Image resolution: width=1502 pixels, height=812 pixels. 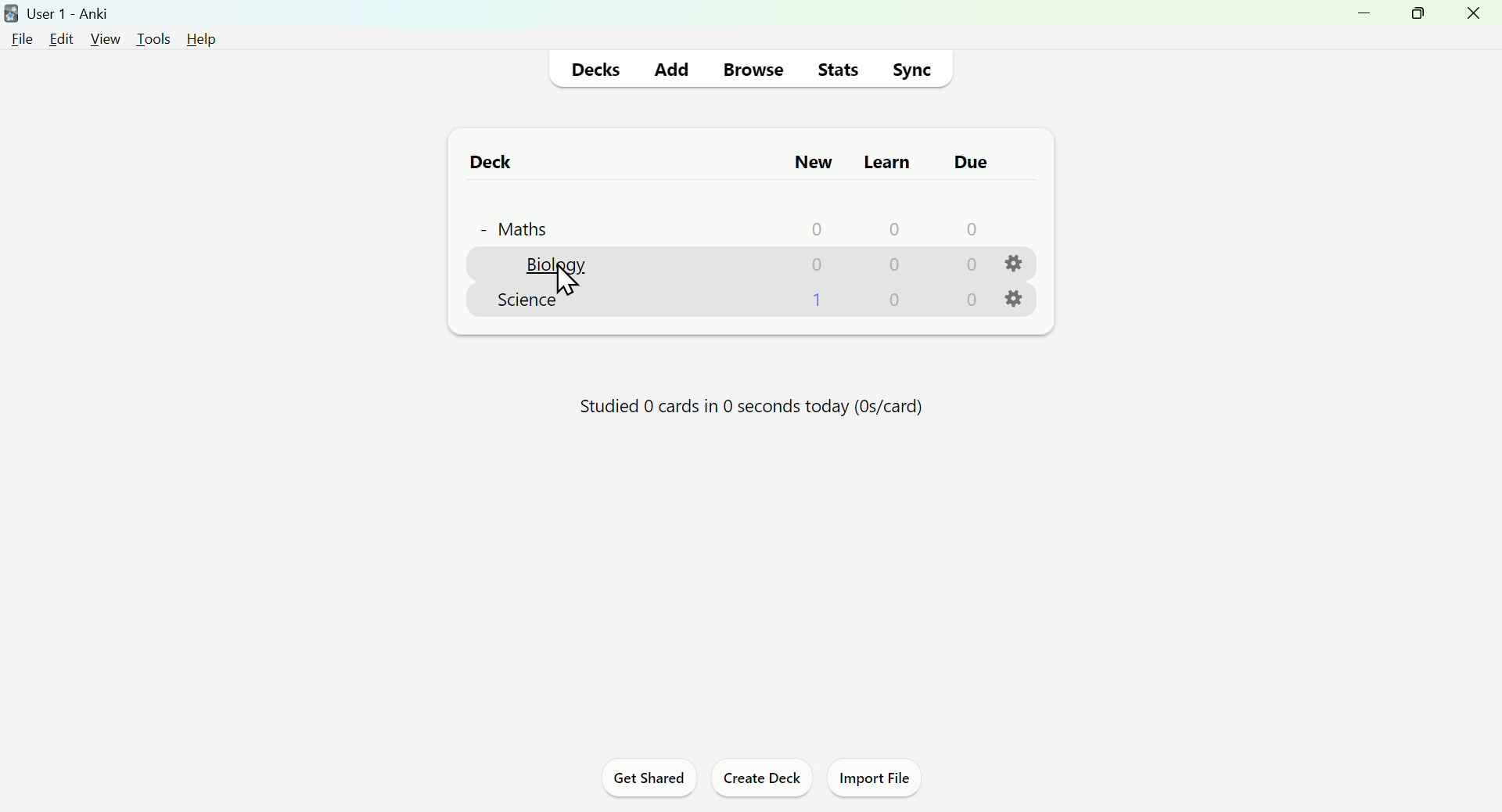 I want to click on settings, so click(x=1016, y=305).